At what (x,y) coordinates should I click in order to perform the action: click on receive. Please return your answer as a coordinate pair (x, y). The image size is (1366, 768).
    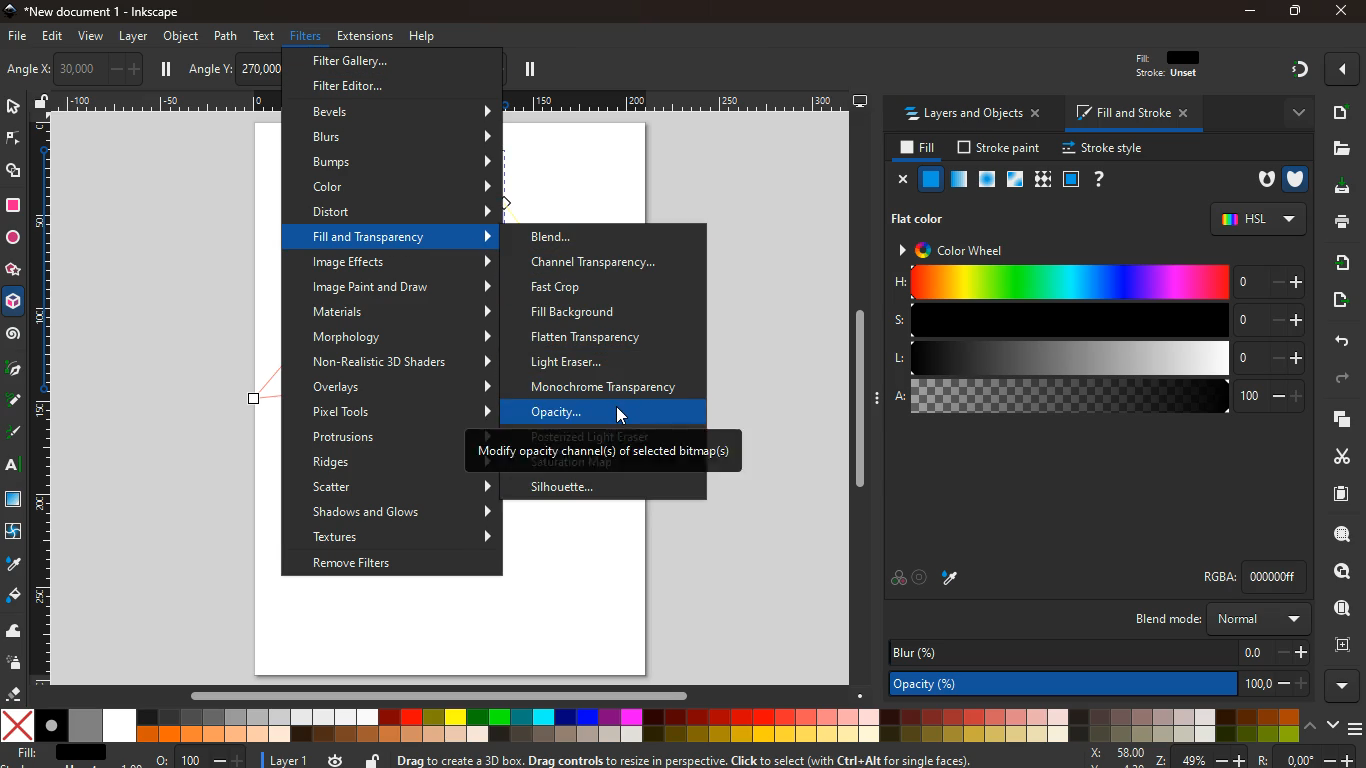
    Looking at the image, I should click on (1336, 262).